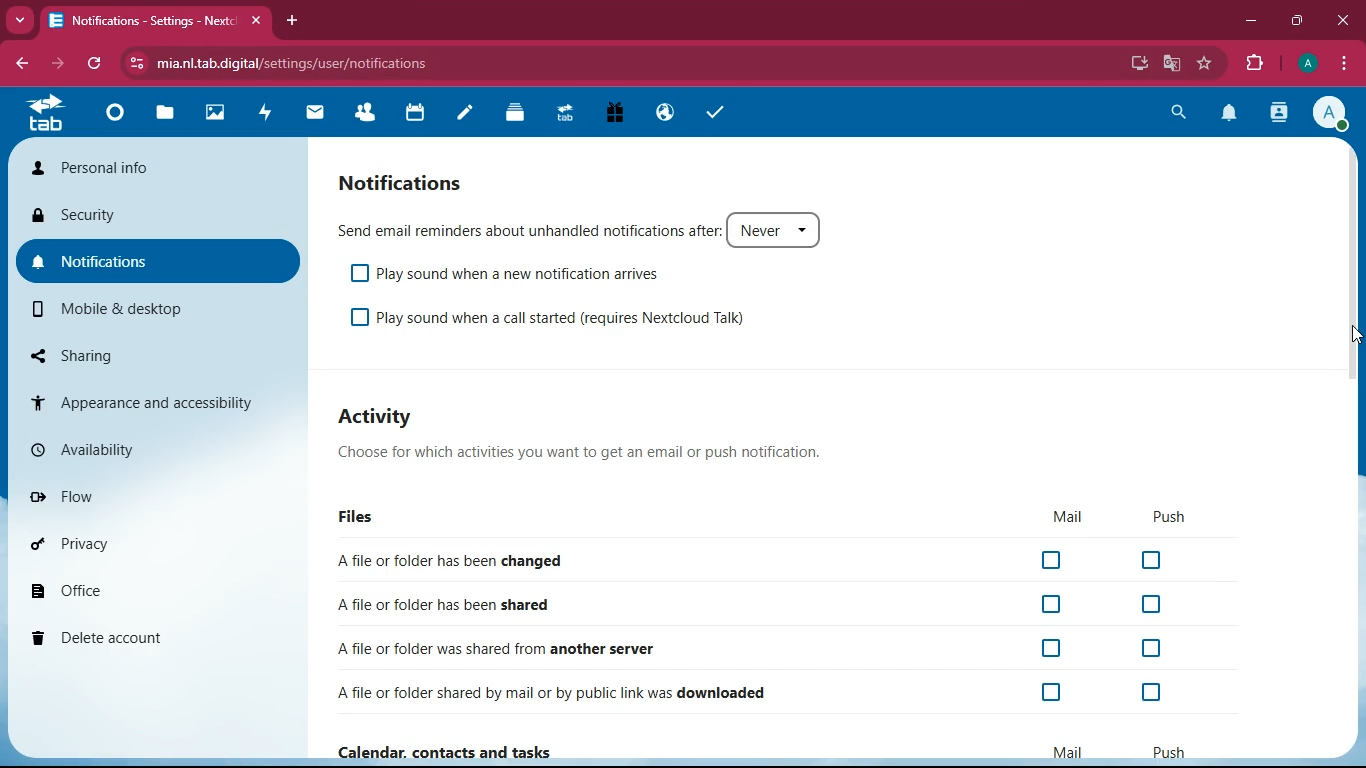  Describe the element at coordinates (415, 115) in the screenshot. I see `calendar` at that location.